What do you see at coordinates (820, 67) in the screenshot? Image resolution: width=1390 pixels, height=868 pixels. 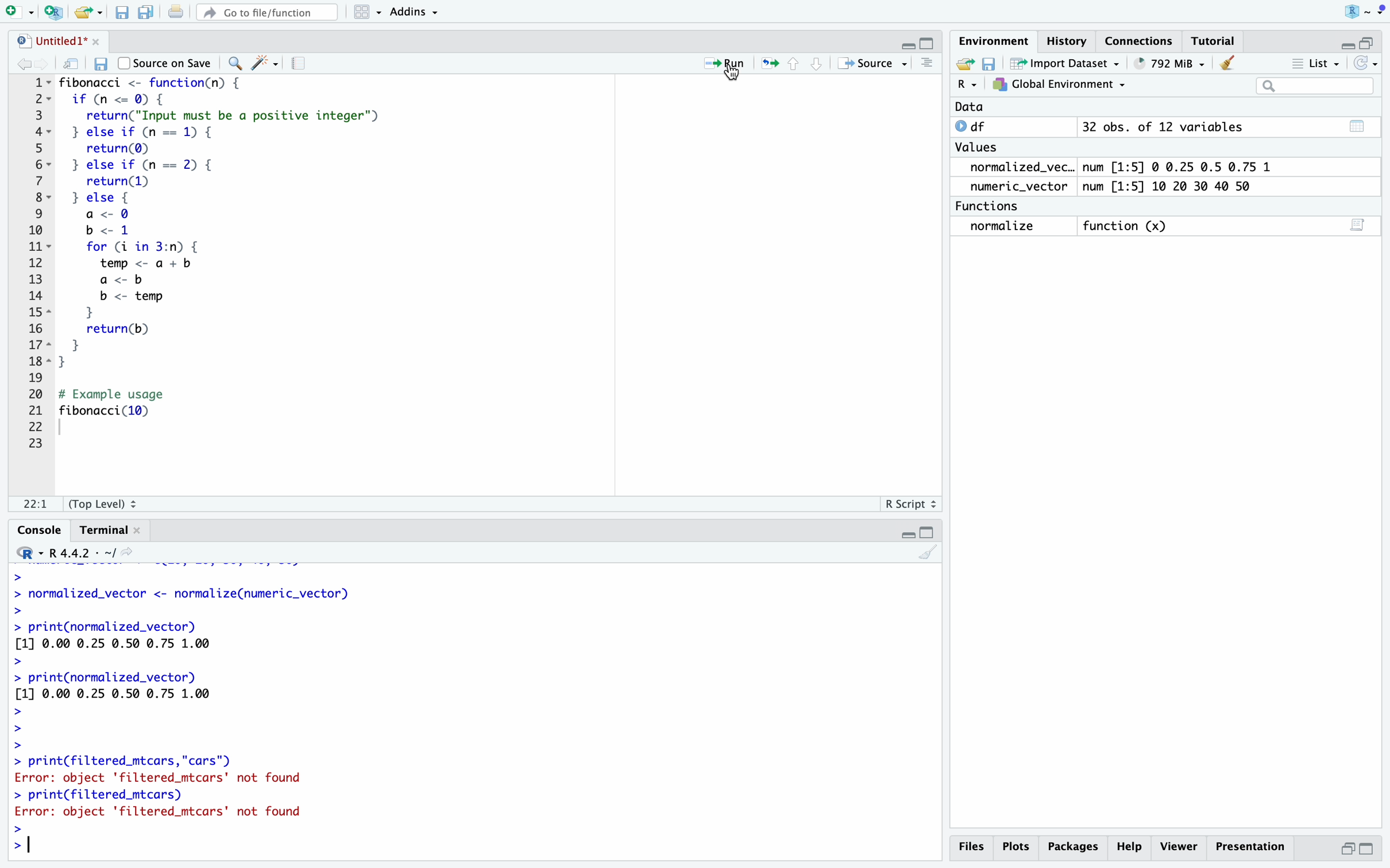 I see `go to next section/chunk` at bounding box center [820, 67].